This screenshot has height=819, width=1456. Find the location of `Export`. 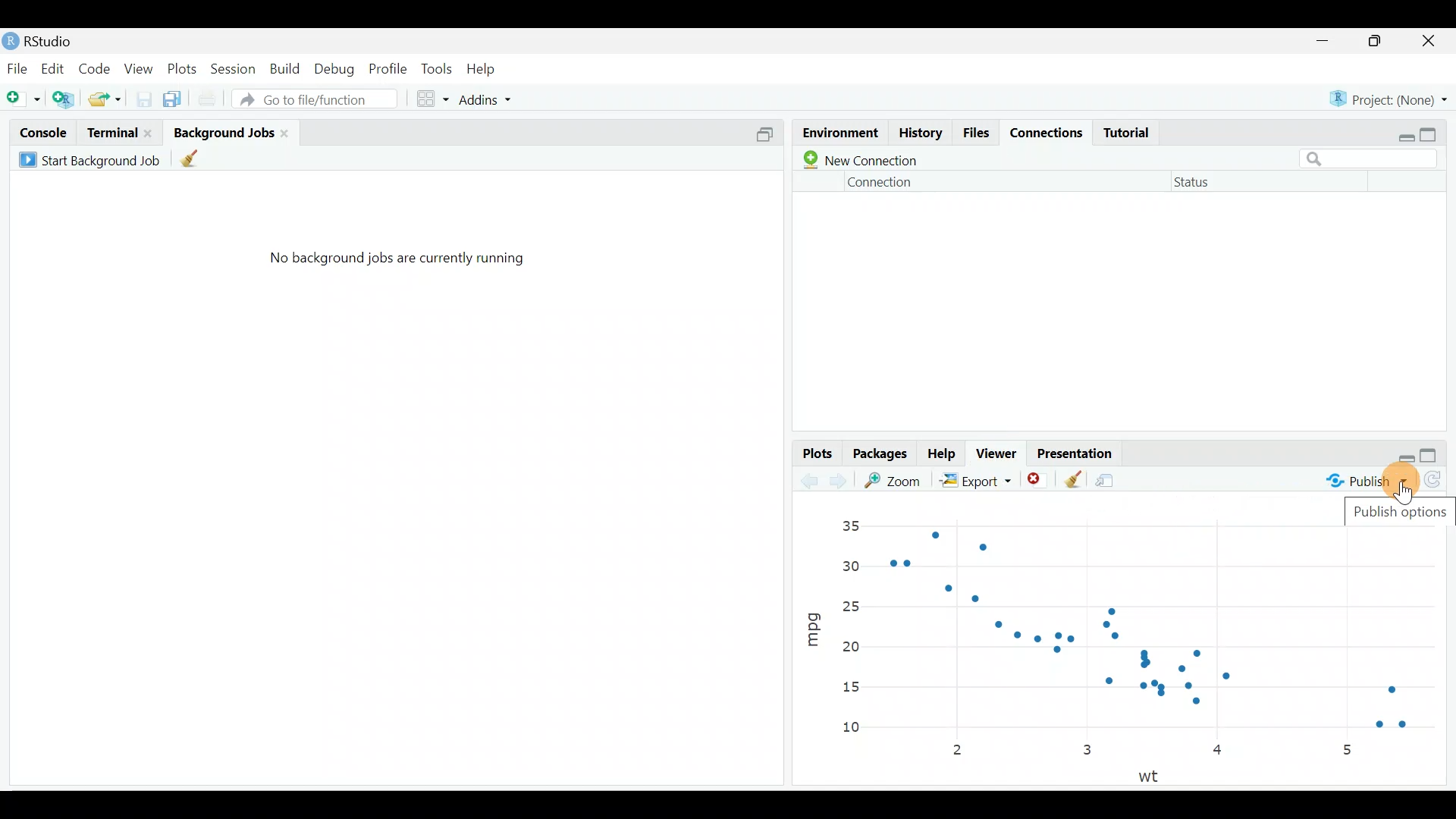

Export is located at coordinates (973, 480).